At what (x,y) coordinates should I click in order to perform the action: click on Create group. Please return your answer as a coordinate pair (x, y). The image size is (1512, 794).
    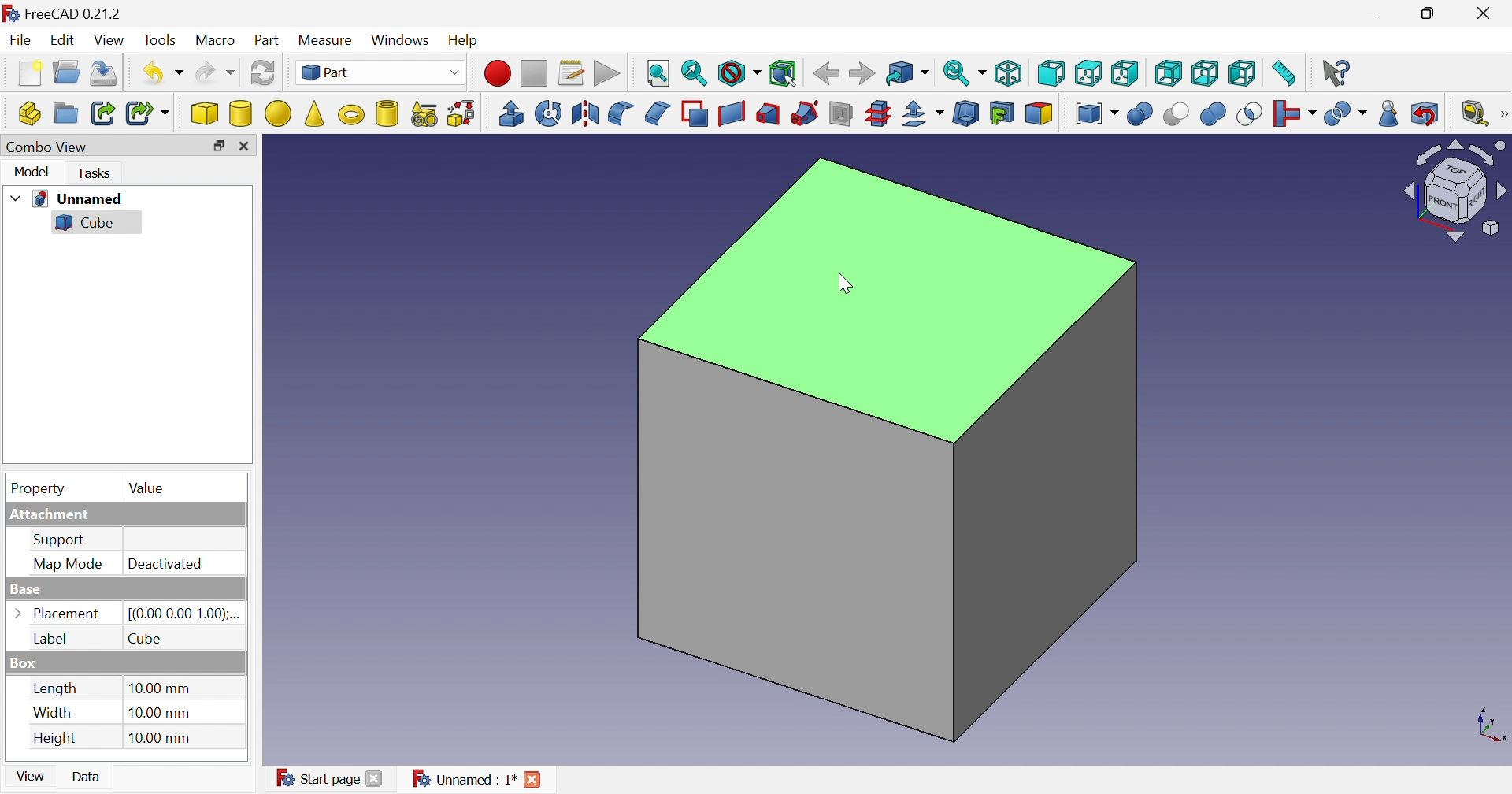
    Looking at the image, I should click on (65, 113).